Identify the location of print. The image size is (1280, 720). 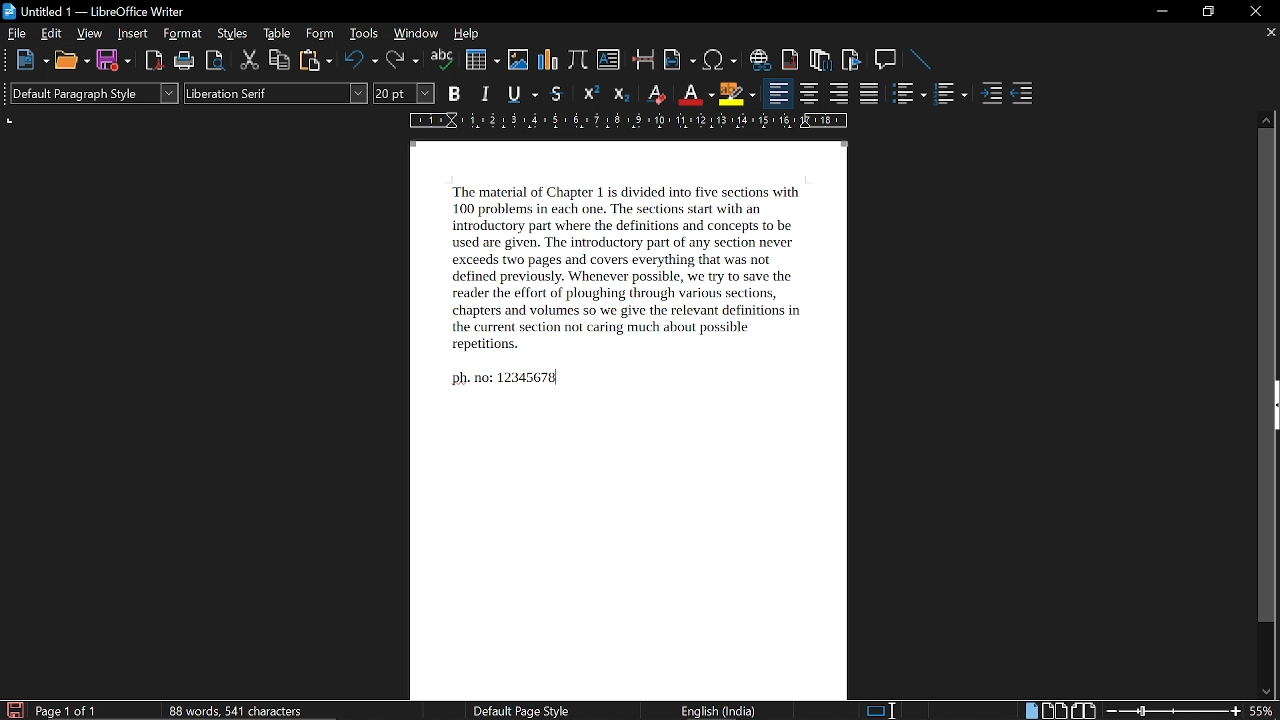
(182, 61).